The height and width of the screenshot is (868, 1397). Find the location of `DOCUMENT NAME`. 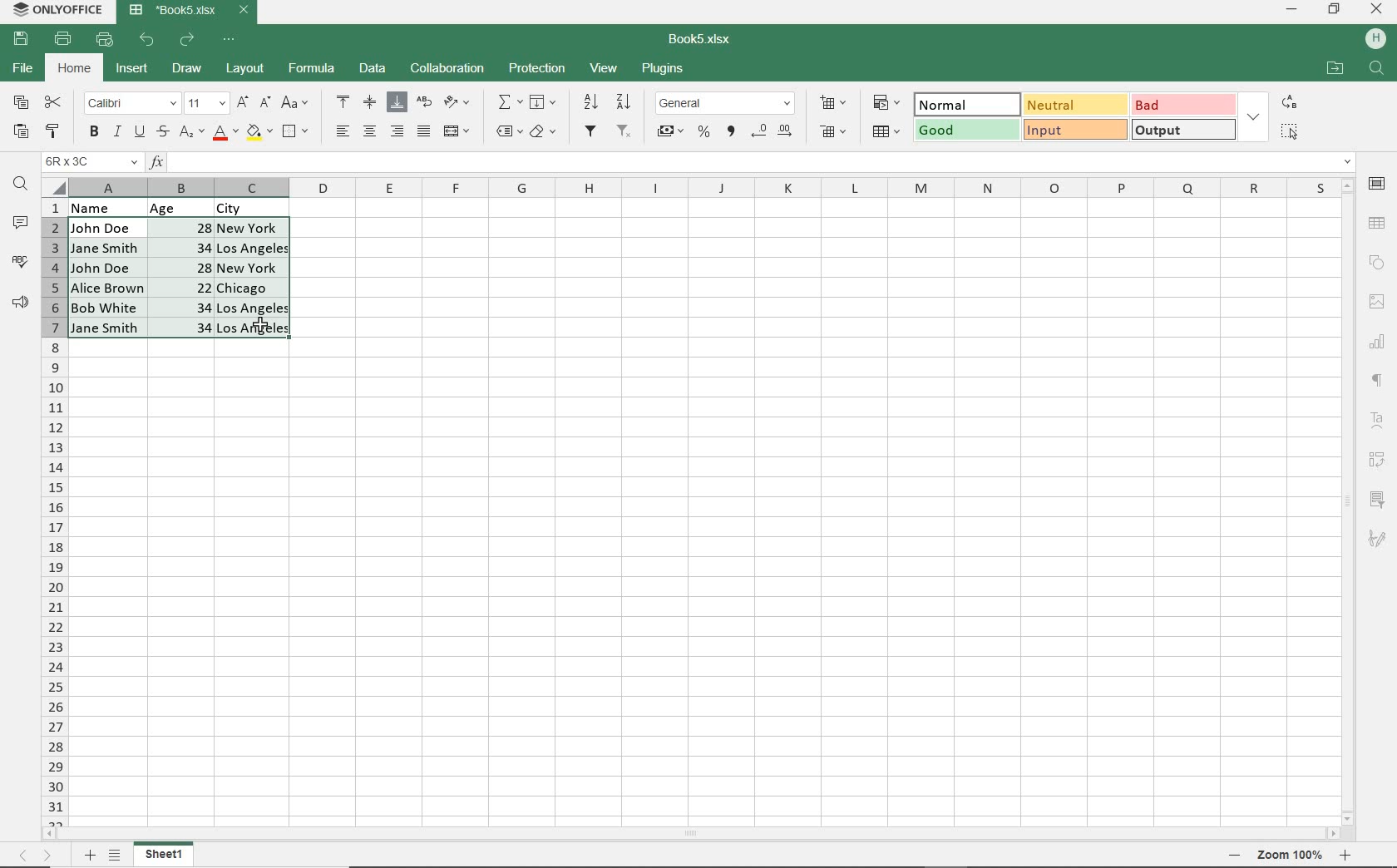

DOCUMENT NAME is located at coordinates (190, 11).